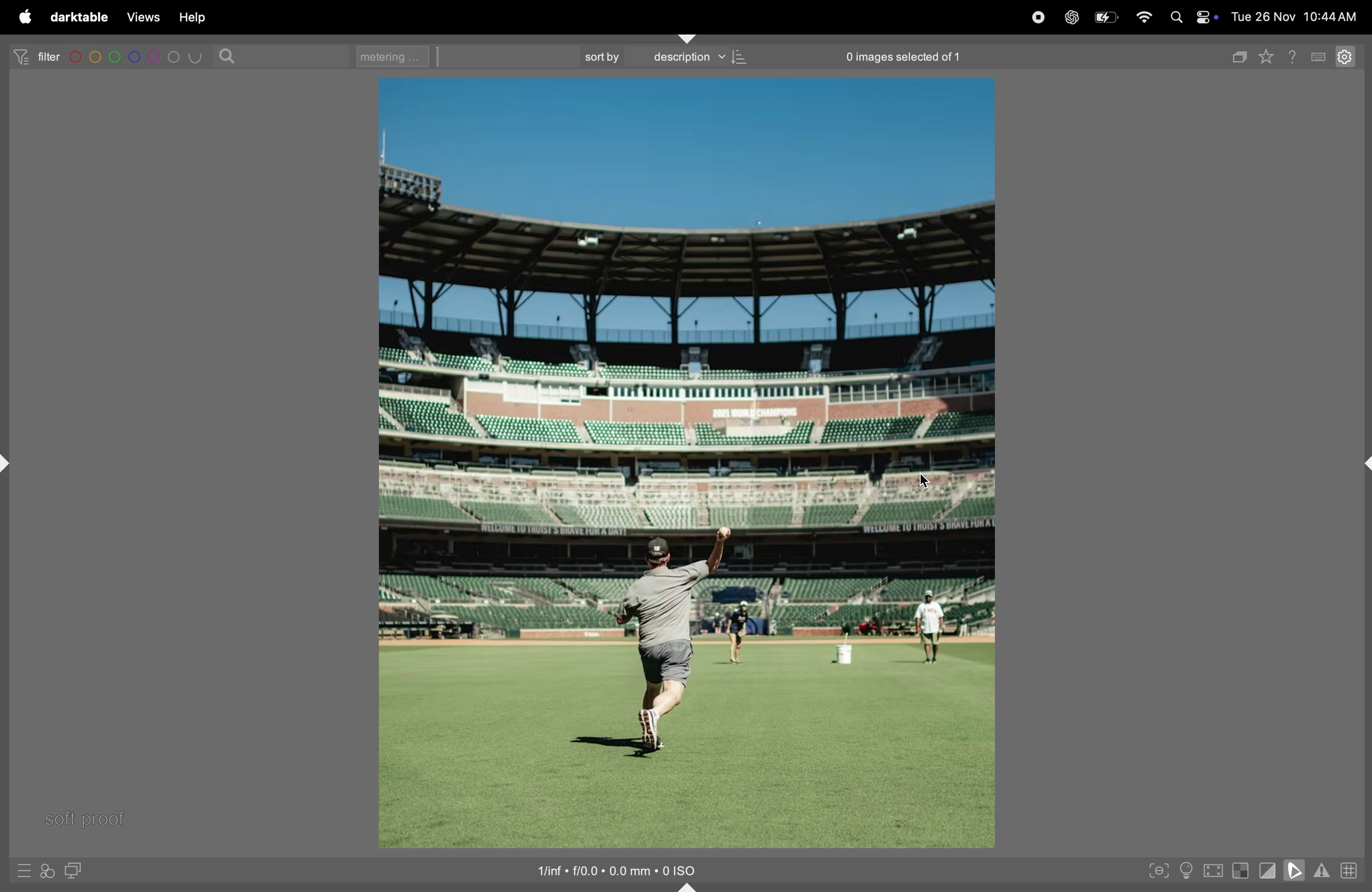 The height and width of the screenshot is (892, 1372). What do you see at coordinates (144, 18) in the screenshot?
I see `views` at bounding box center [144, 18].